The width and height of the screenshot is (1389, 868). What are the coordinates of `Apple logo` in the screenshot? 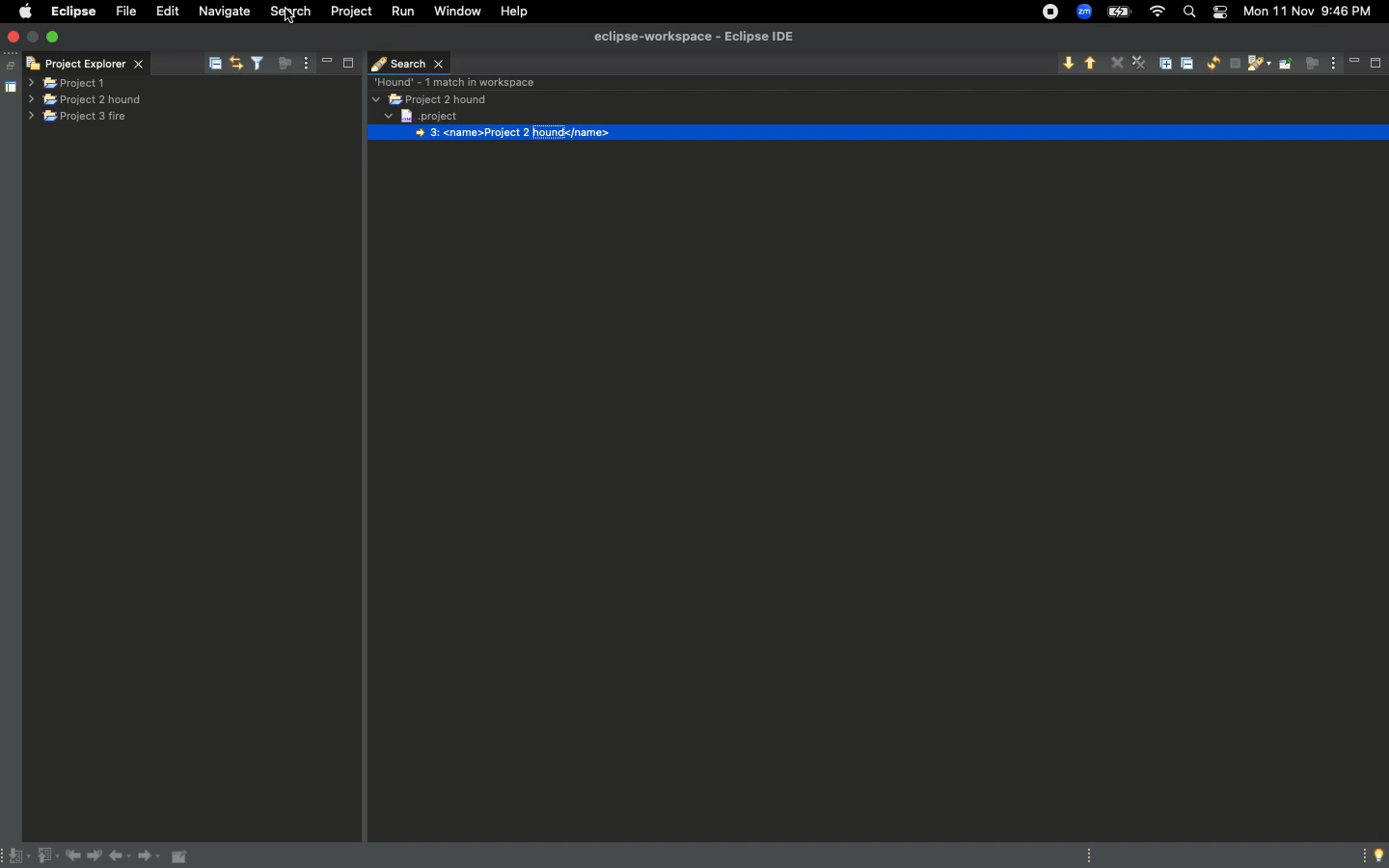 It's located at (26, 11).